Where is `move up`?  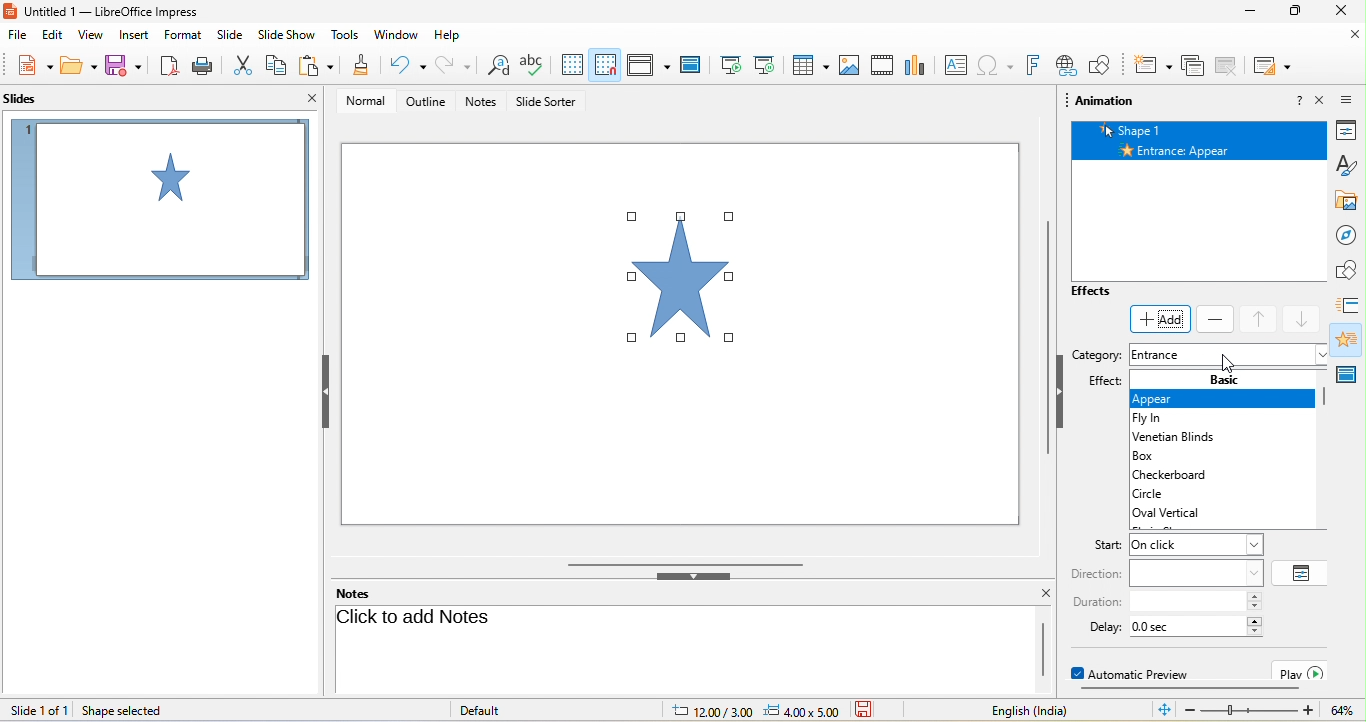 move up is located at coordinates (1260, 320).